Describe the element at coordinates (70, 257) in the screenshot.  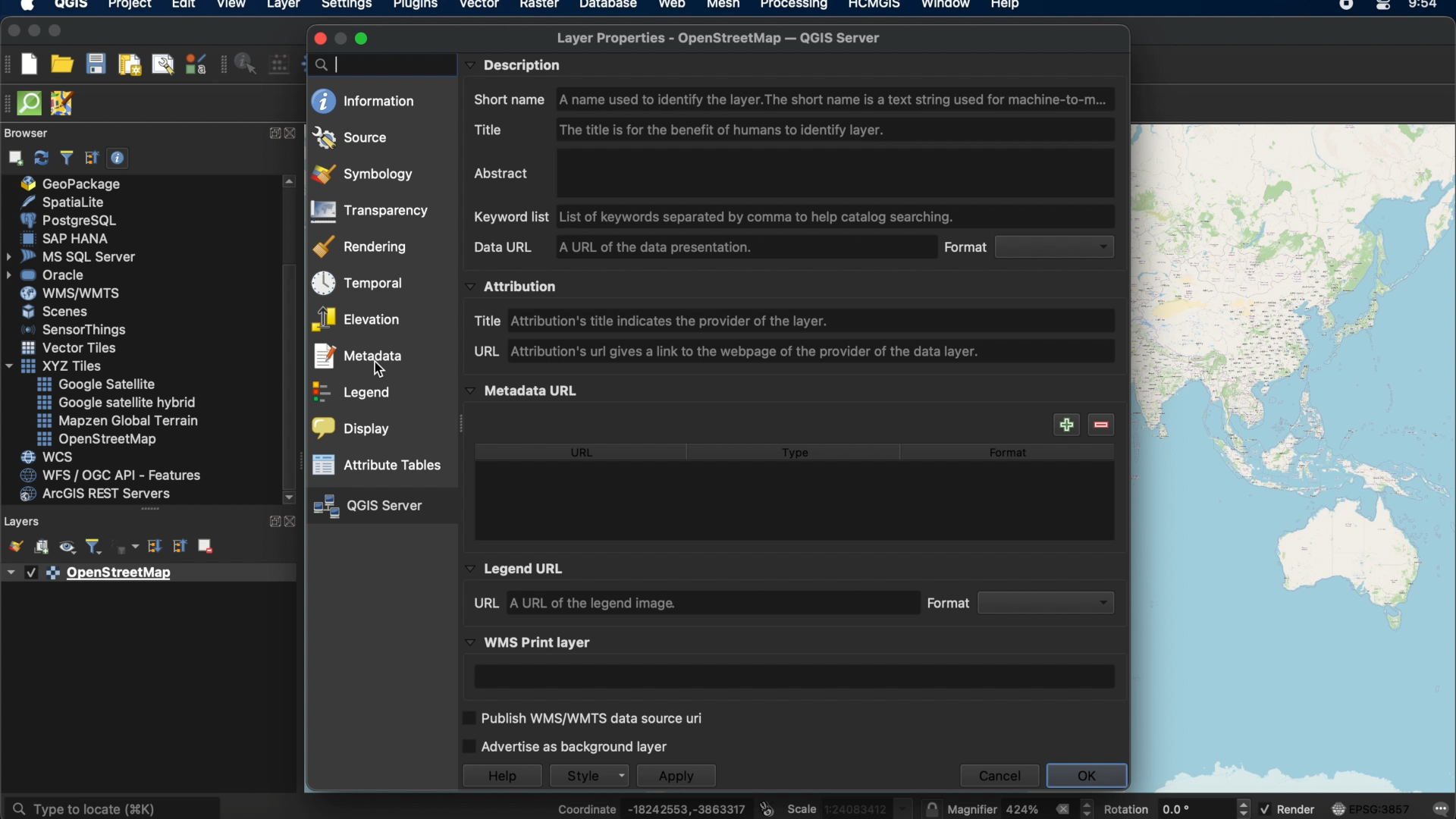
I see `ms sql server` at that location.